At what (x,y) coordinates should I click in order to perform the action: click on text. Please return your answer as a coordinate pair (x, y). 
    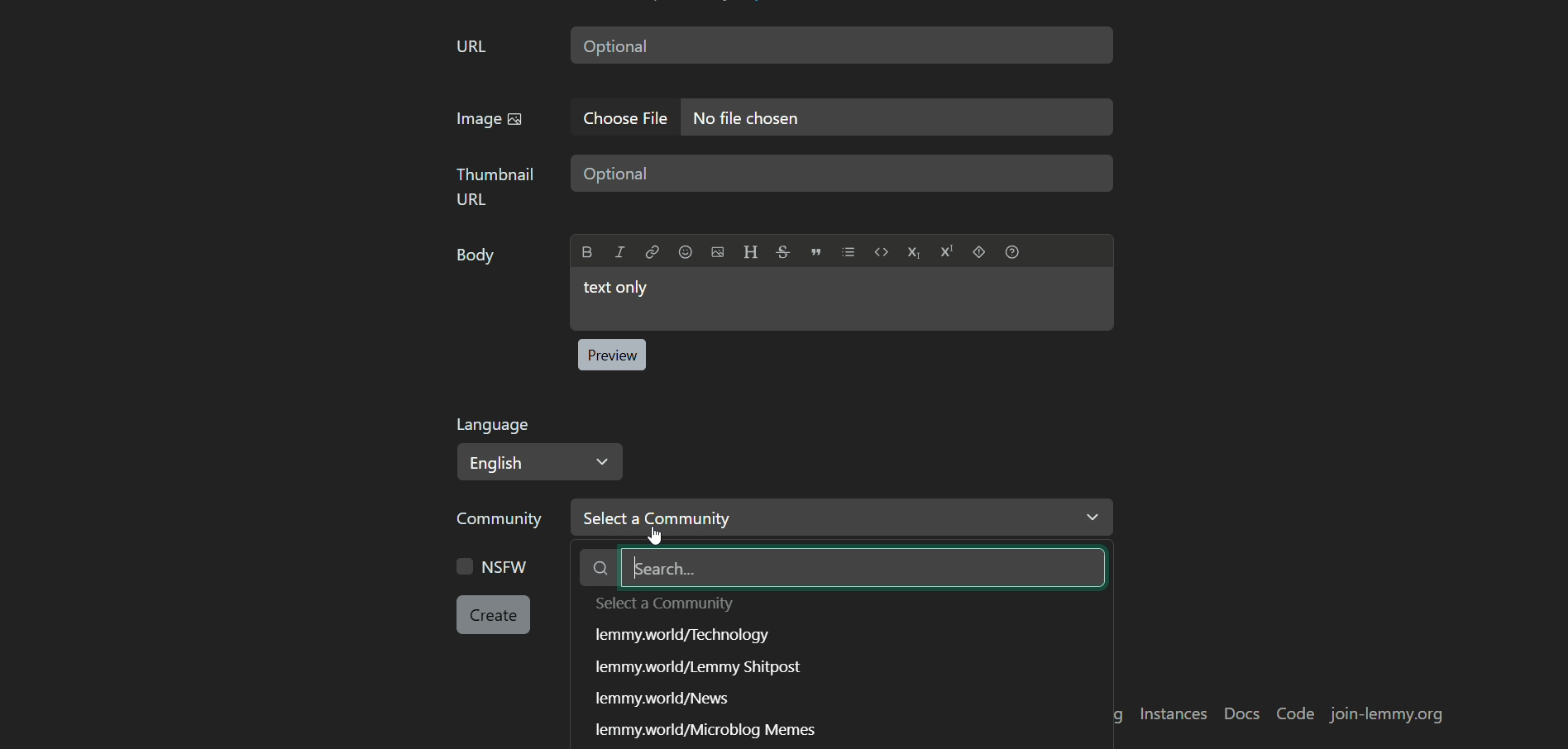
    Looking at the image, I should click on (664, 699).